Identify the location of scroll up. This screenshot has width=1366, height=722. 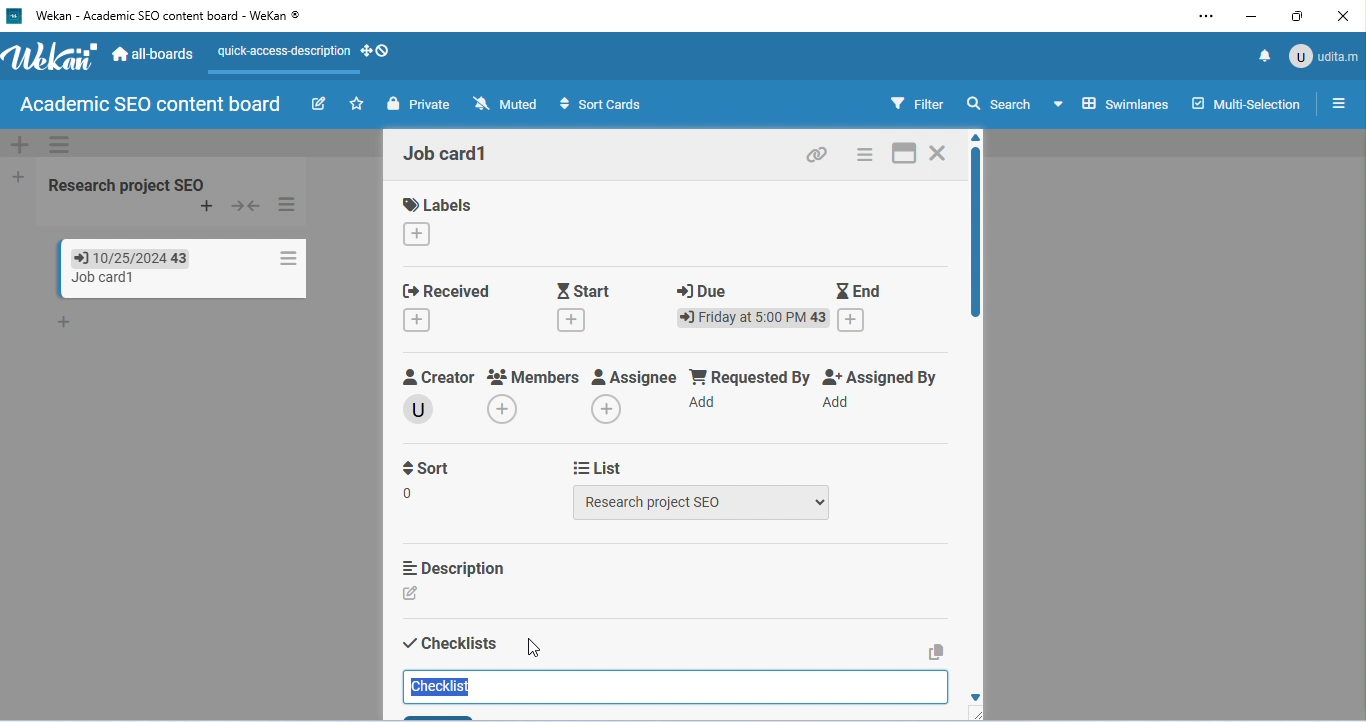
(973, 136).